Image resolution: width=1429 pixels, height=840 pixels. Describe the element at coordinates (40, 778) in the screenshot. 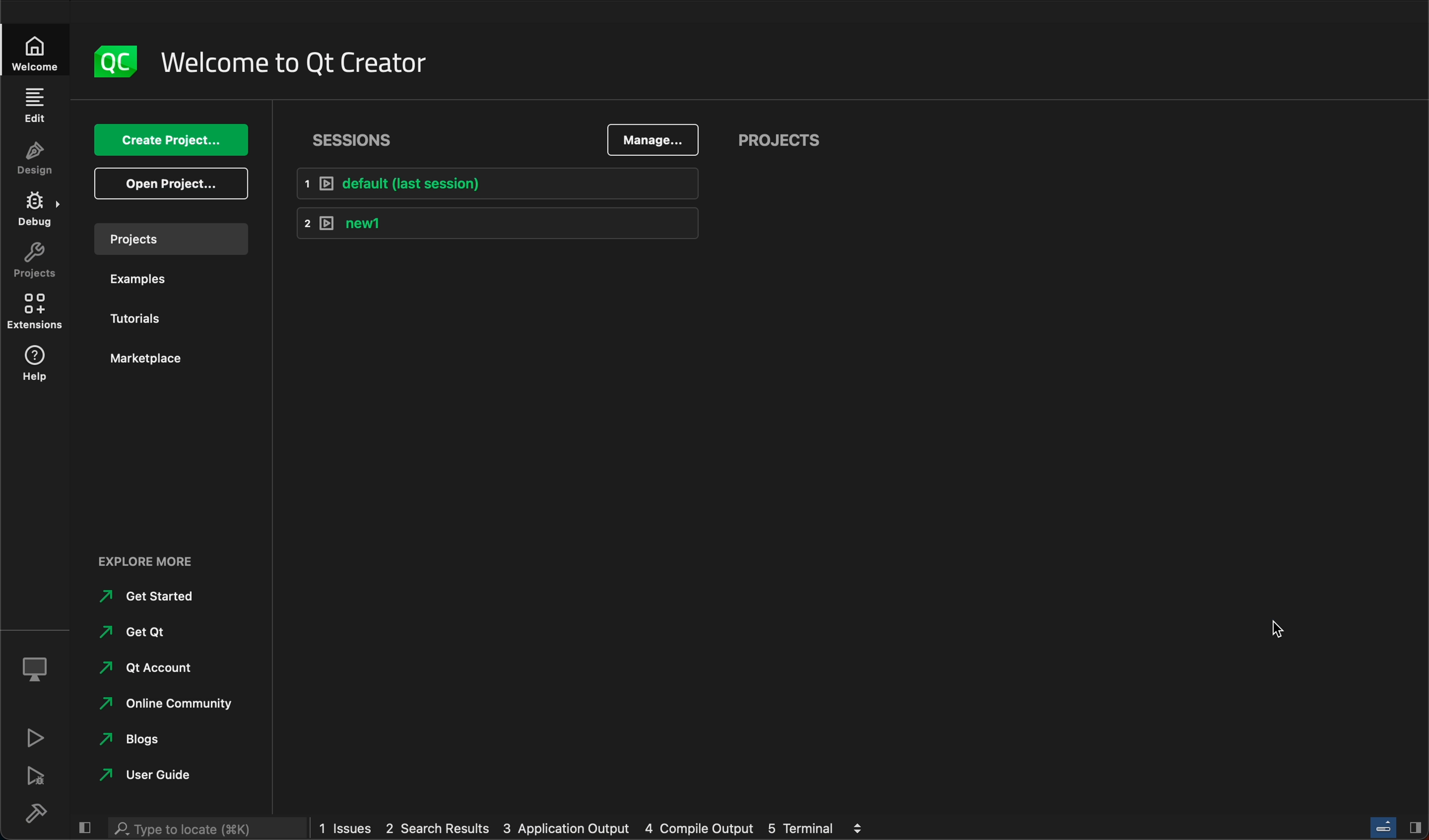

I see `debug` at that location.